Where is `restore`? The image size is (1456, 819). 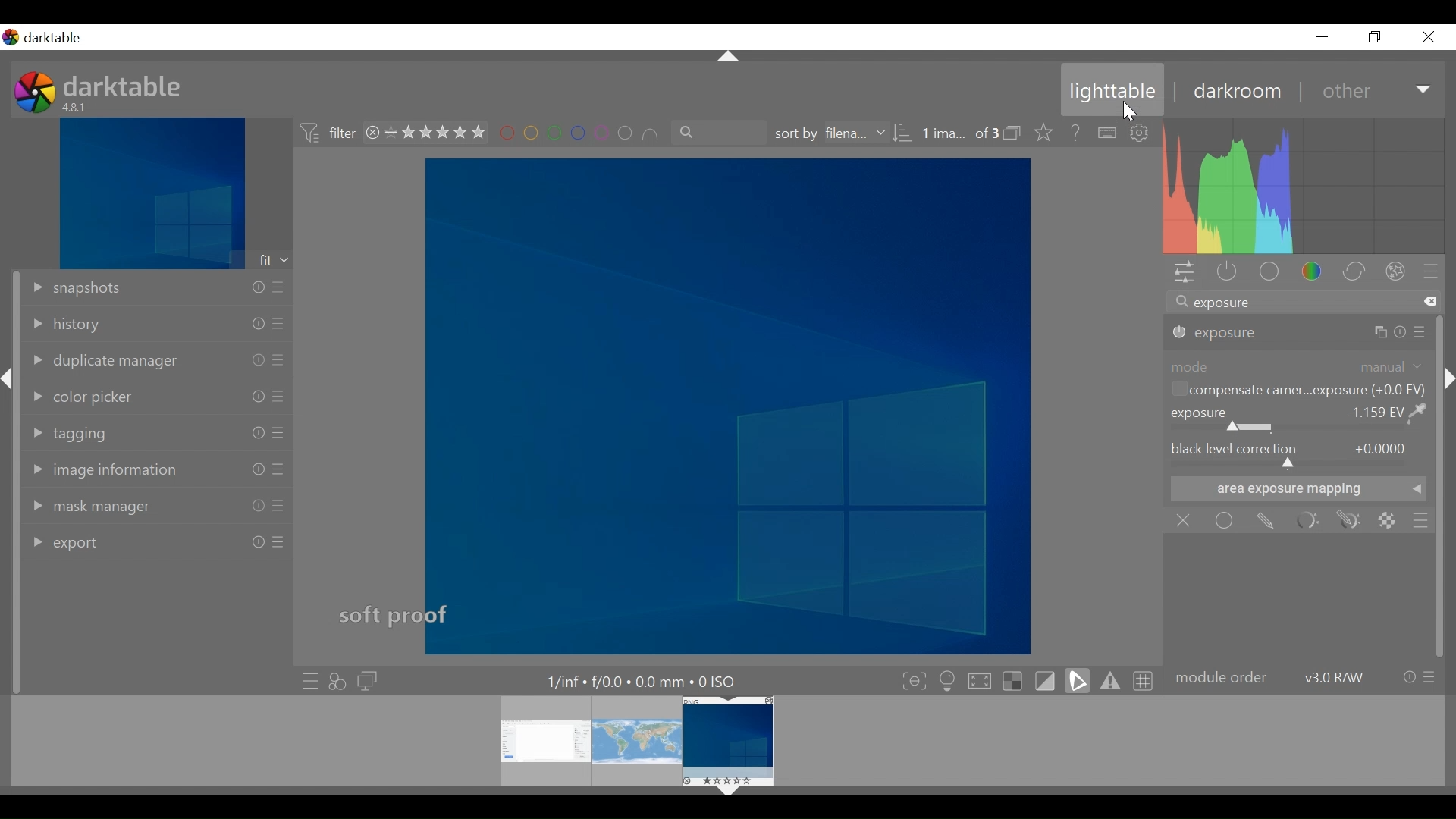
restore is located at coordinates (1373, 37).